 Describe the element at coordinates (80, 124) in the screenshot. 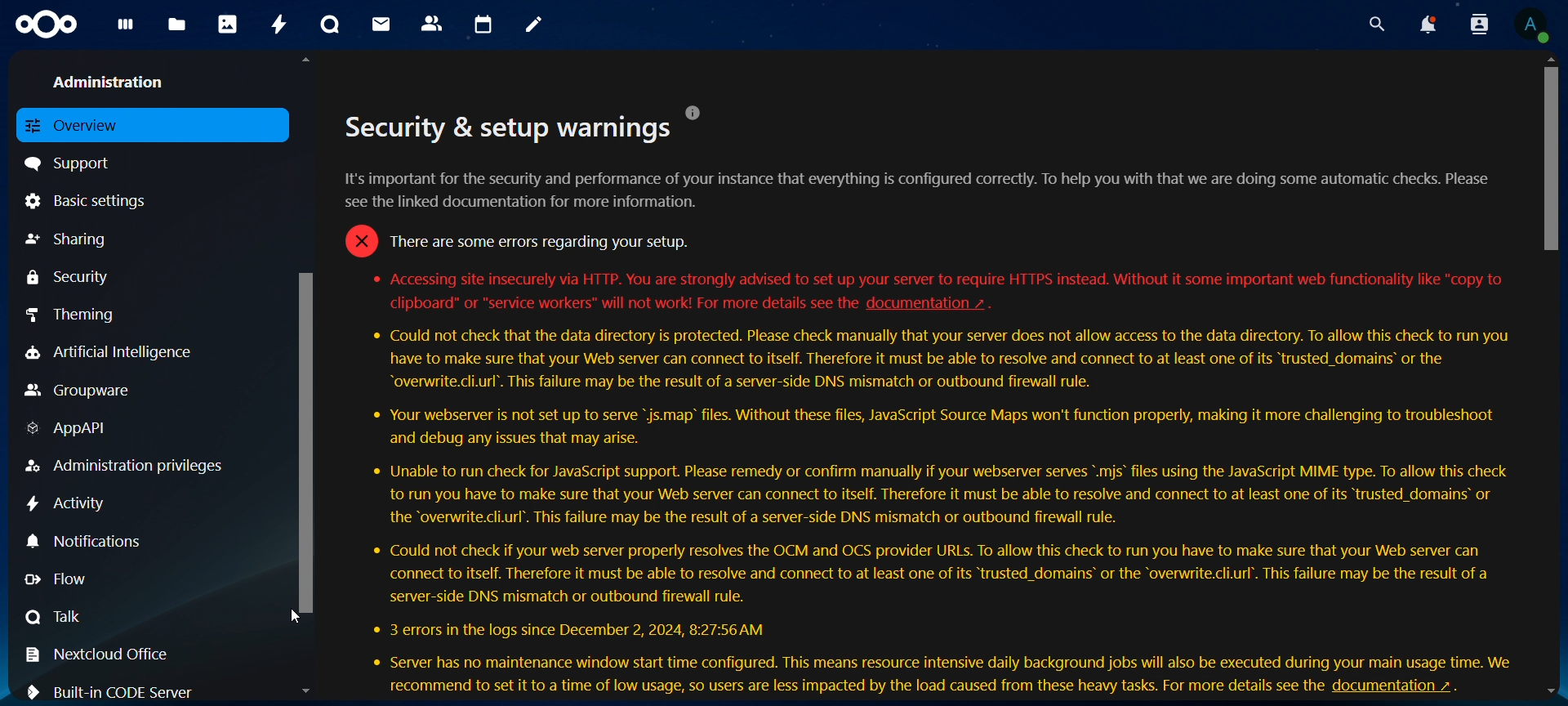

I see `overview` at that location.